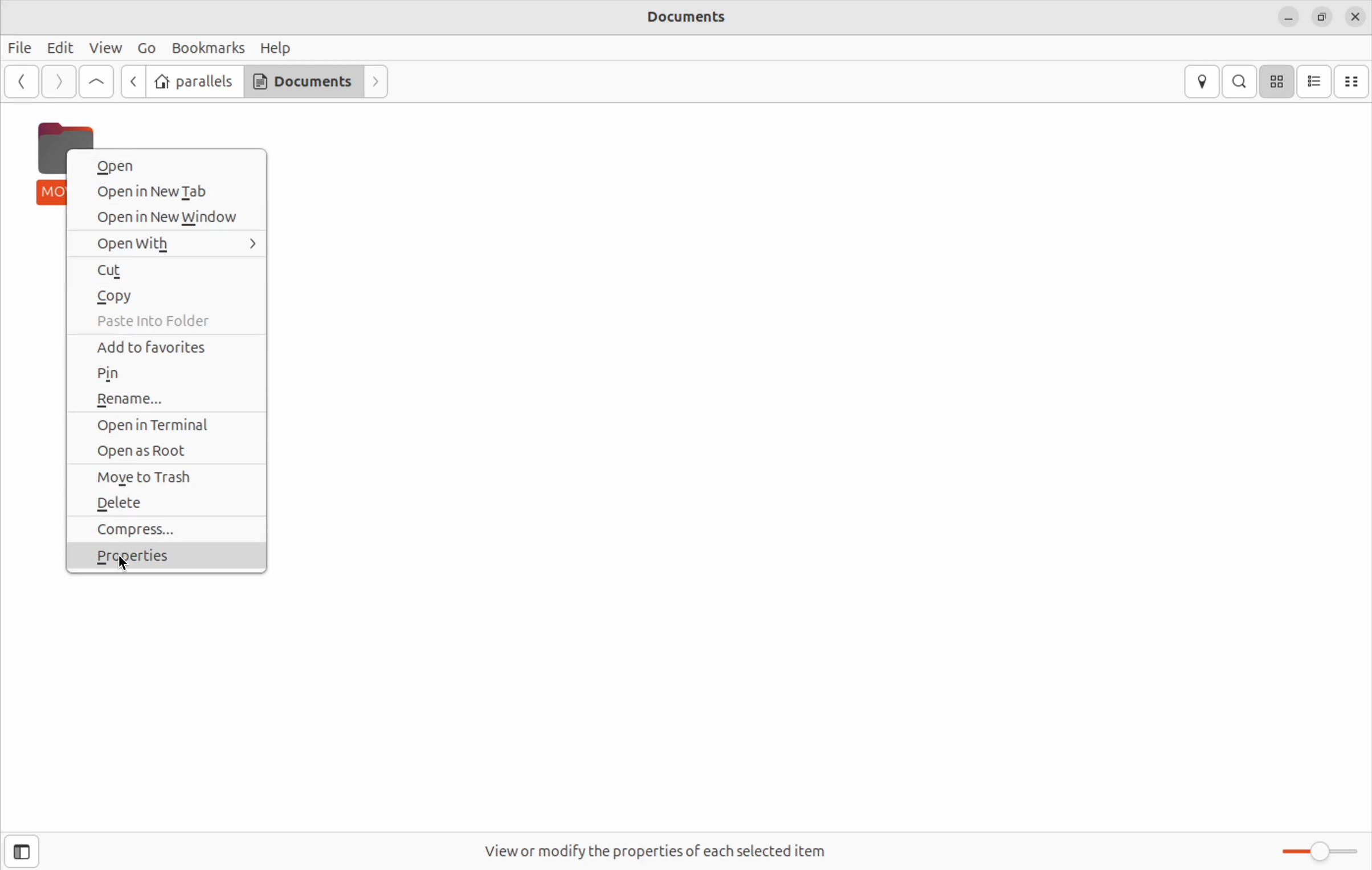  Describe the element at coordinates (376, 80) in the screenshot. I see `next` at that location.